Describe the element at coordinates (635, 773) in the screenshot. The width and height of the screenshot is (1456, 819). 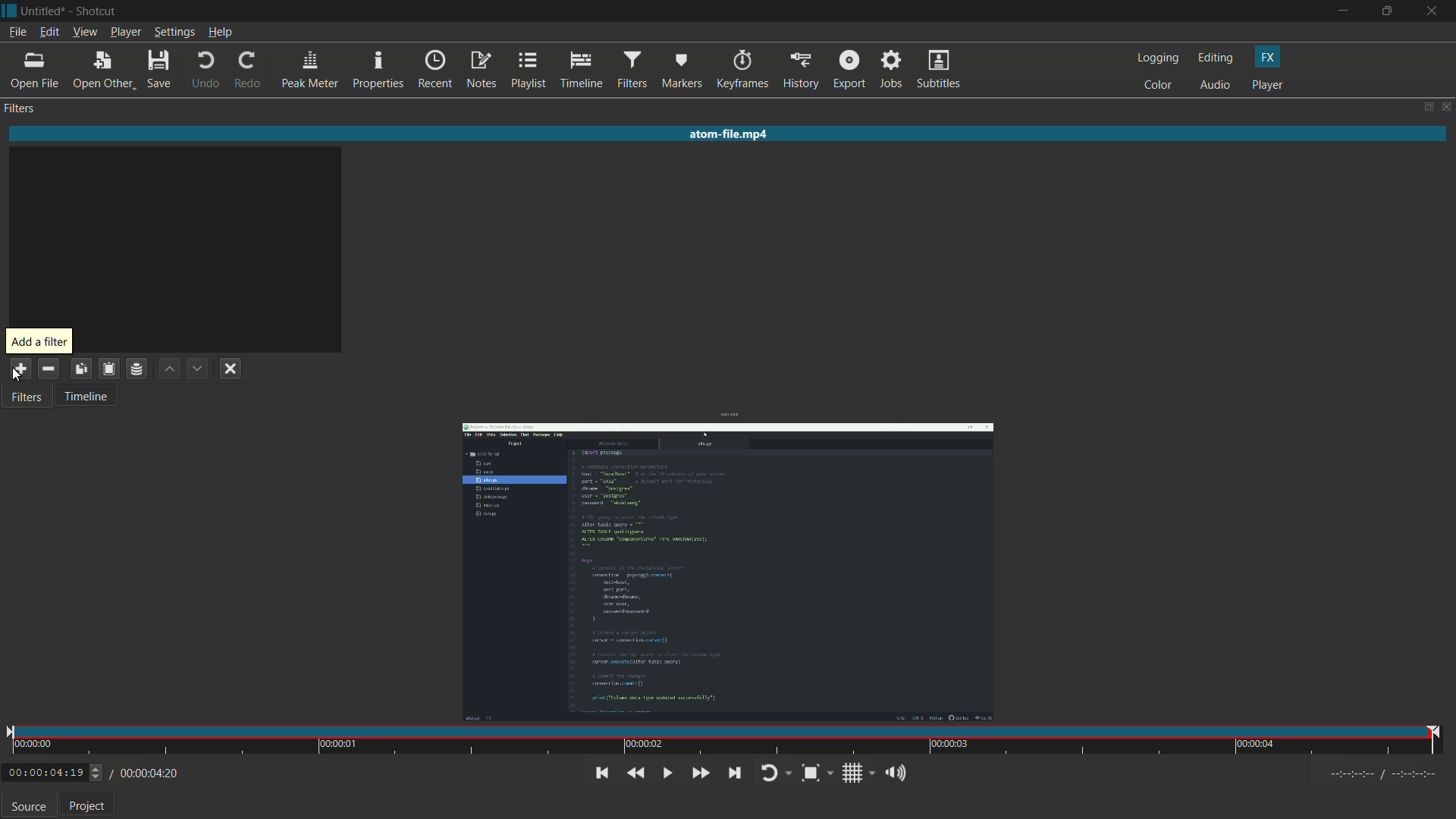
I see `quickly play backward` at that location.